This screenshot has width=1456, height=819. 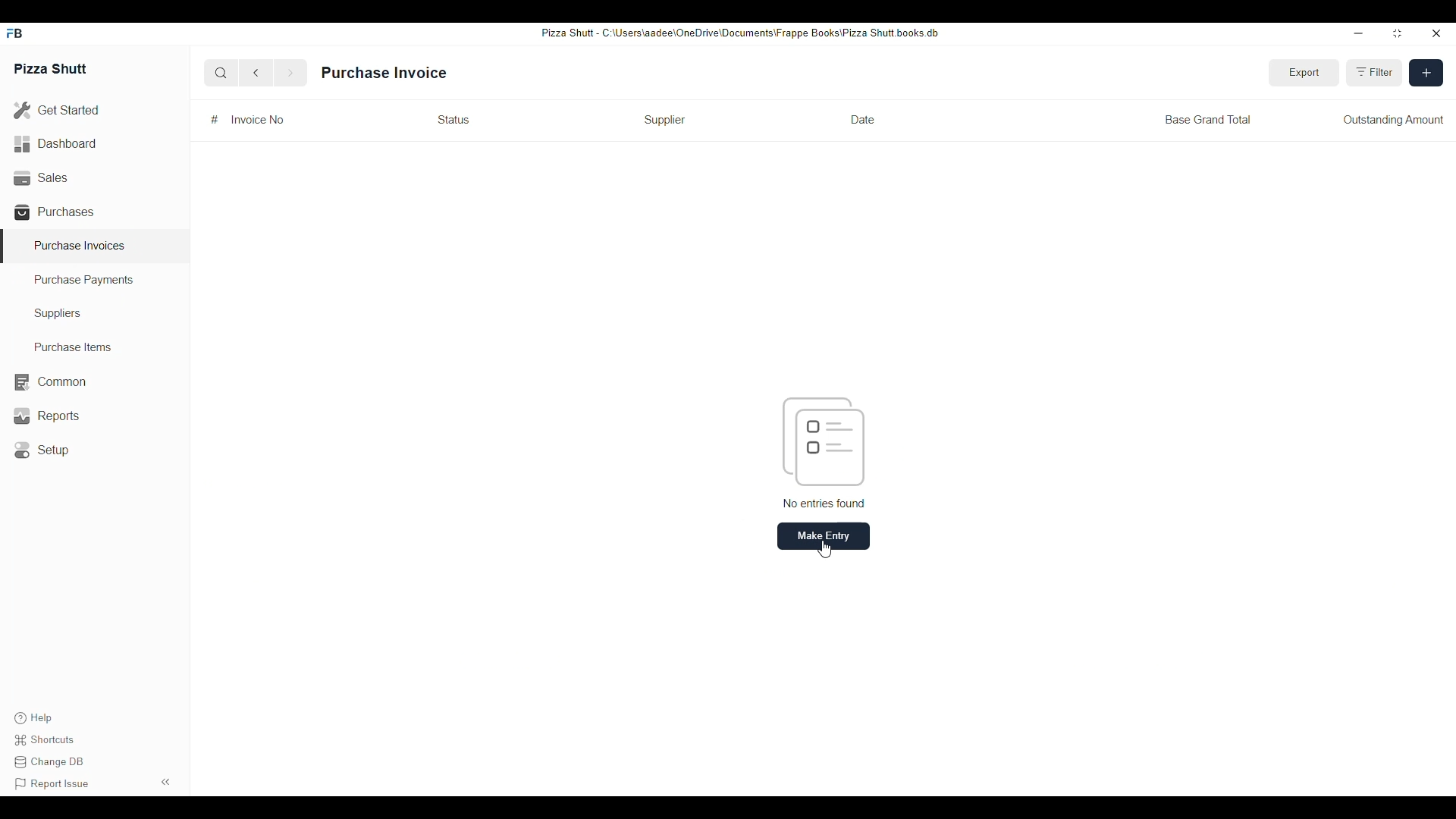 I want to click on Export, so click(x=1305, y=73).